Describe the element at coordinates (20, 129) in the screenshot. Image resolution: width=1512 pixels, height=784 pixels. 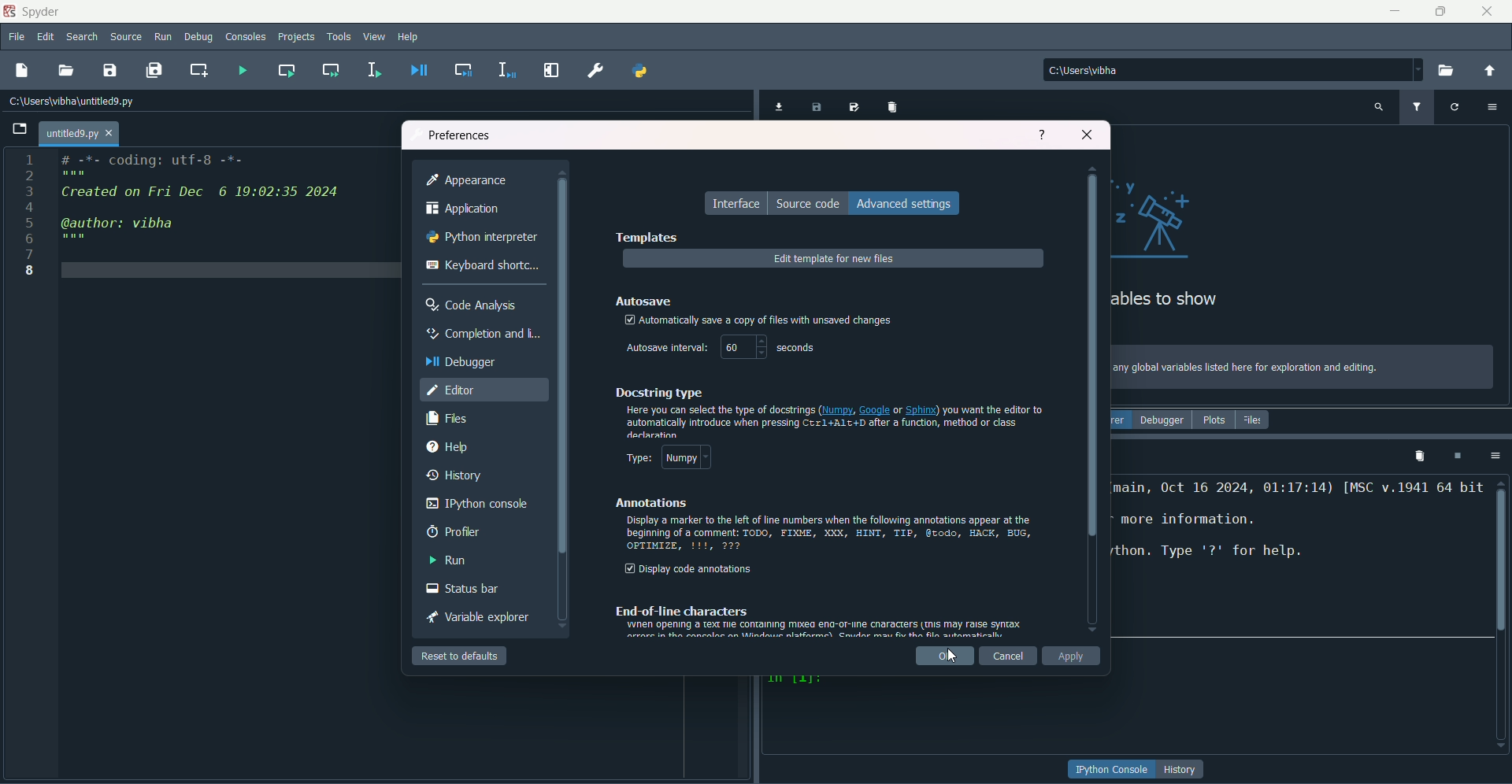
I see `Open file` at that location.